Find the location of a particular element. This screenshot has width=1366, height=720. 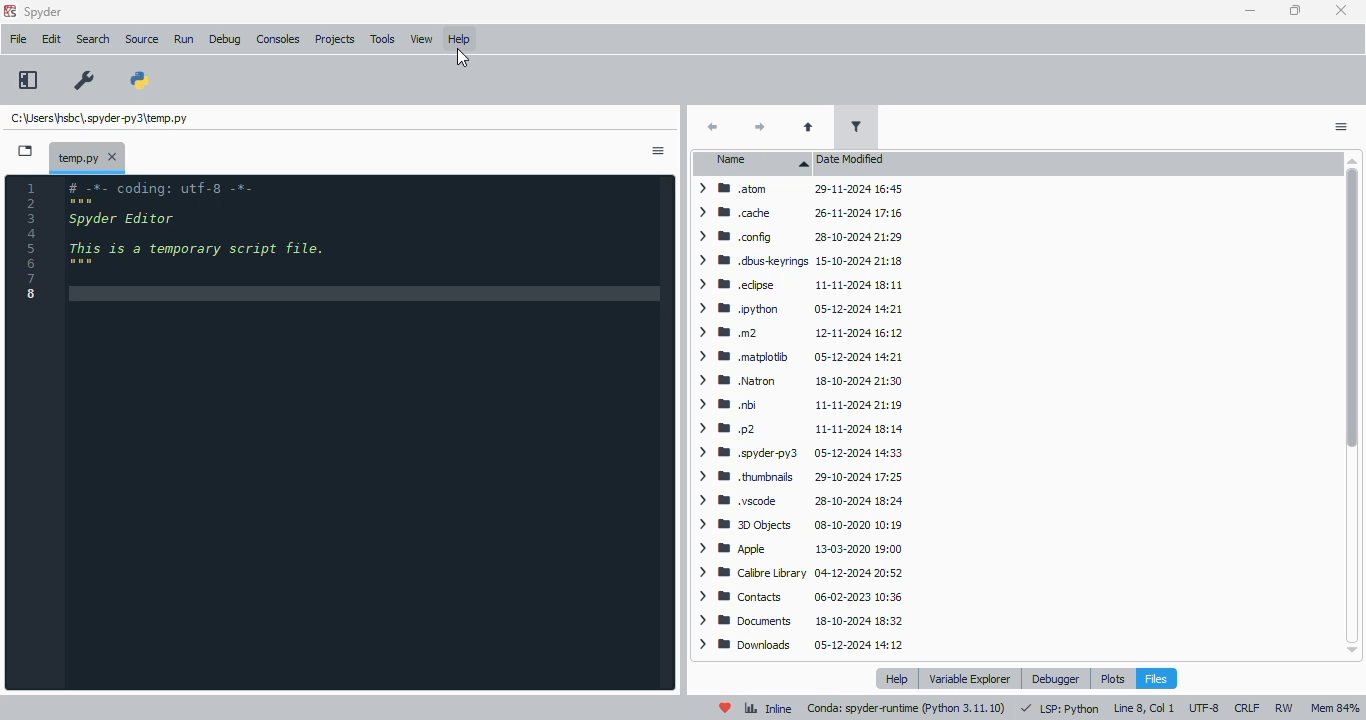

RW is located at coordinates (1285, 708).